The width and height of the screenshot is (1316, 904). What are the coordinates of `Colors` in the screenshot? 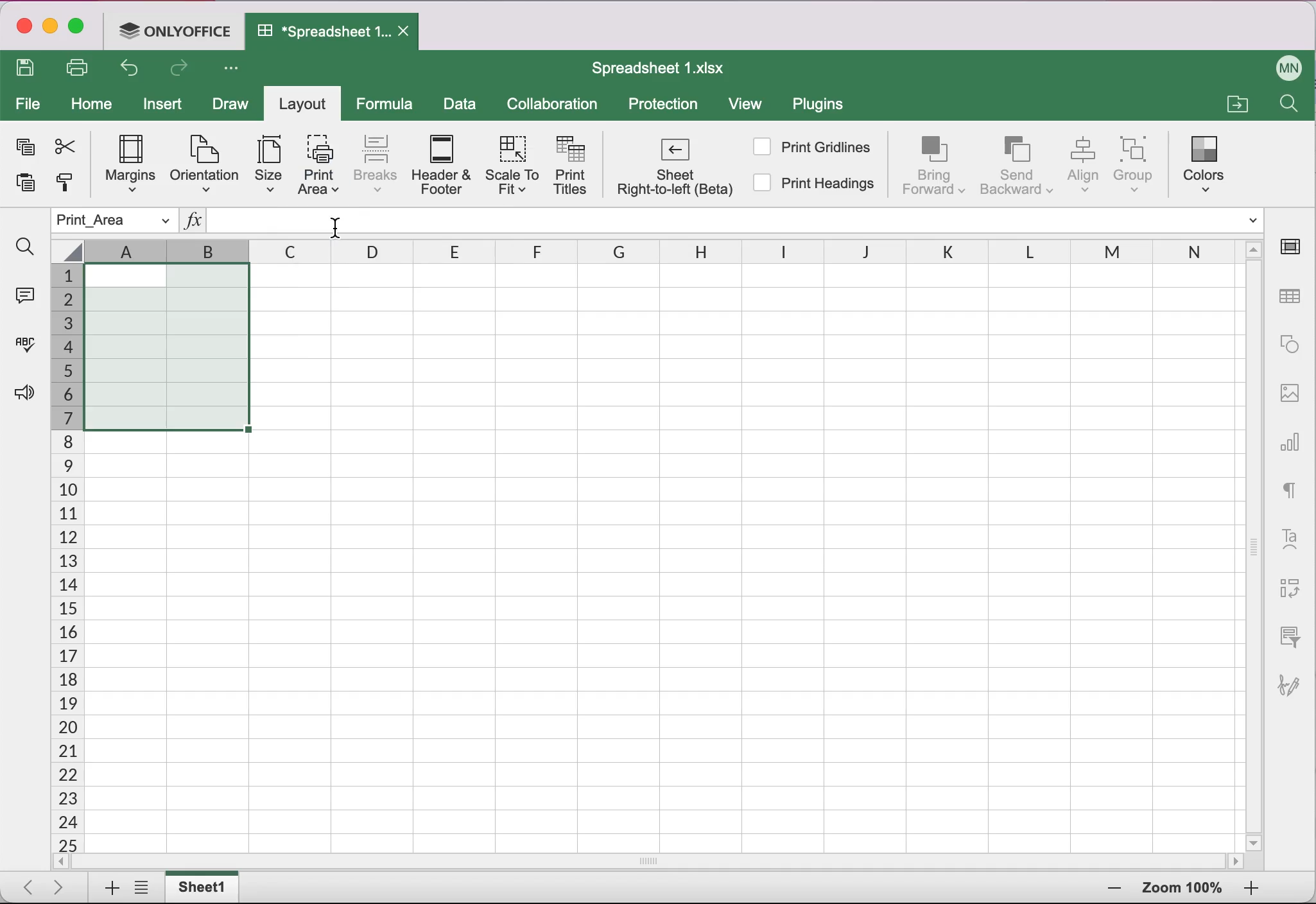 It's located at (1208, 161).